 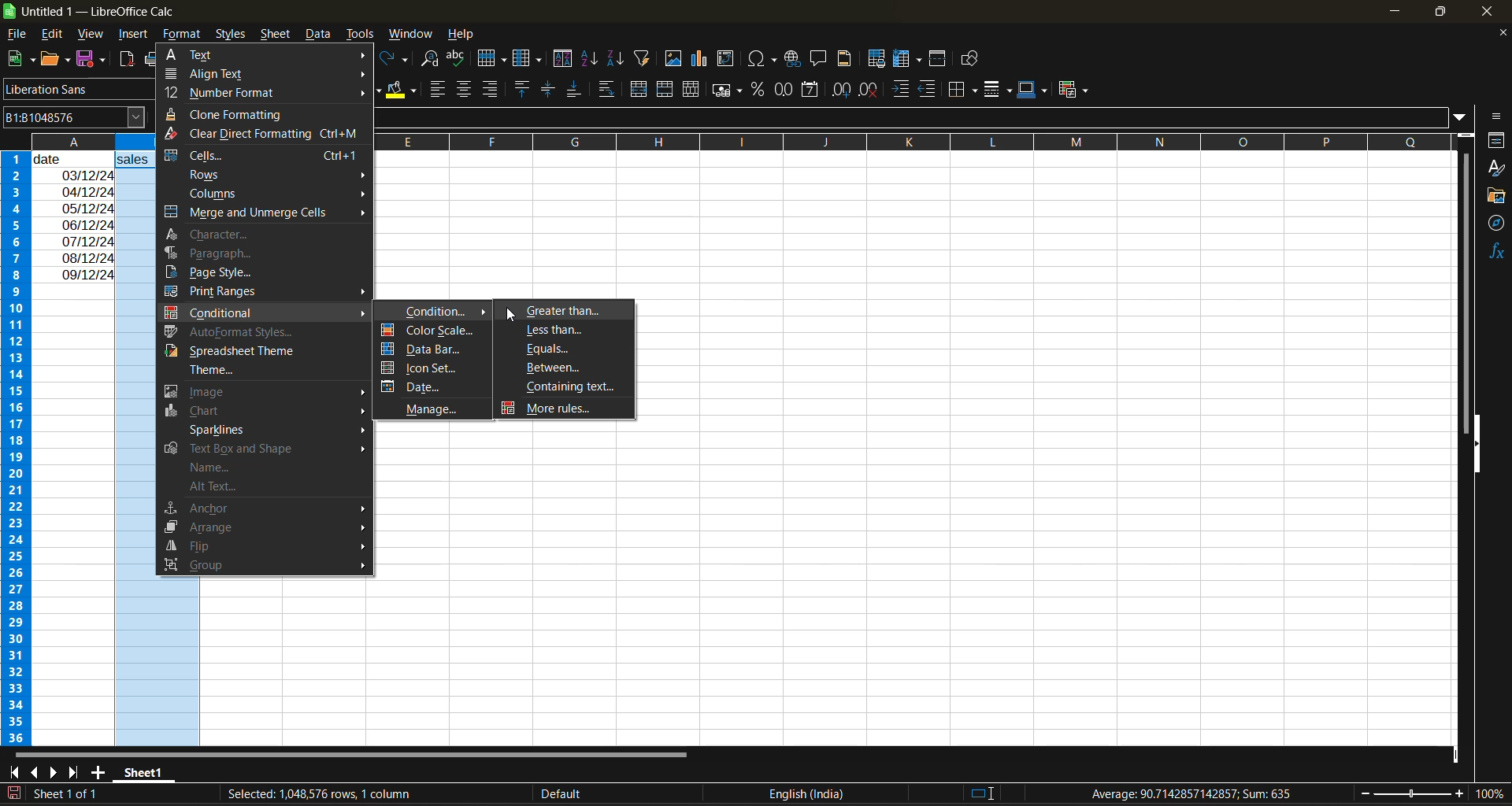 I want to click on standard selection, so click(x=983, y=793).